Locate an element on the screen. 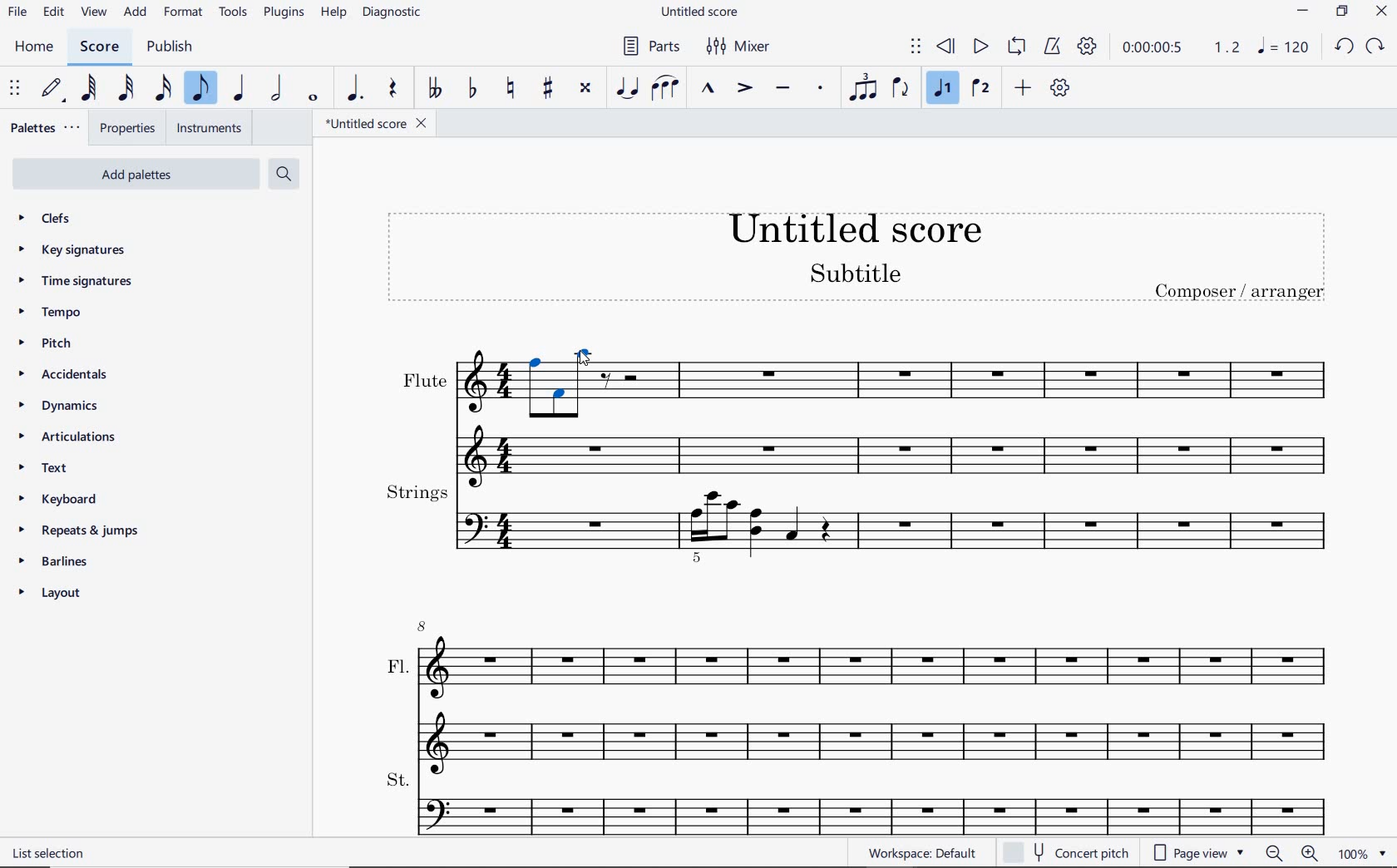 The width and height of the screenshot is (1397, 868). SELECT TO MOVE is located at coordinates (15, 89).